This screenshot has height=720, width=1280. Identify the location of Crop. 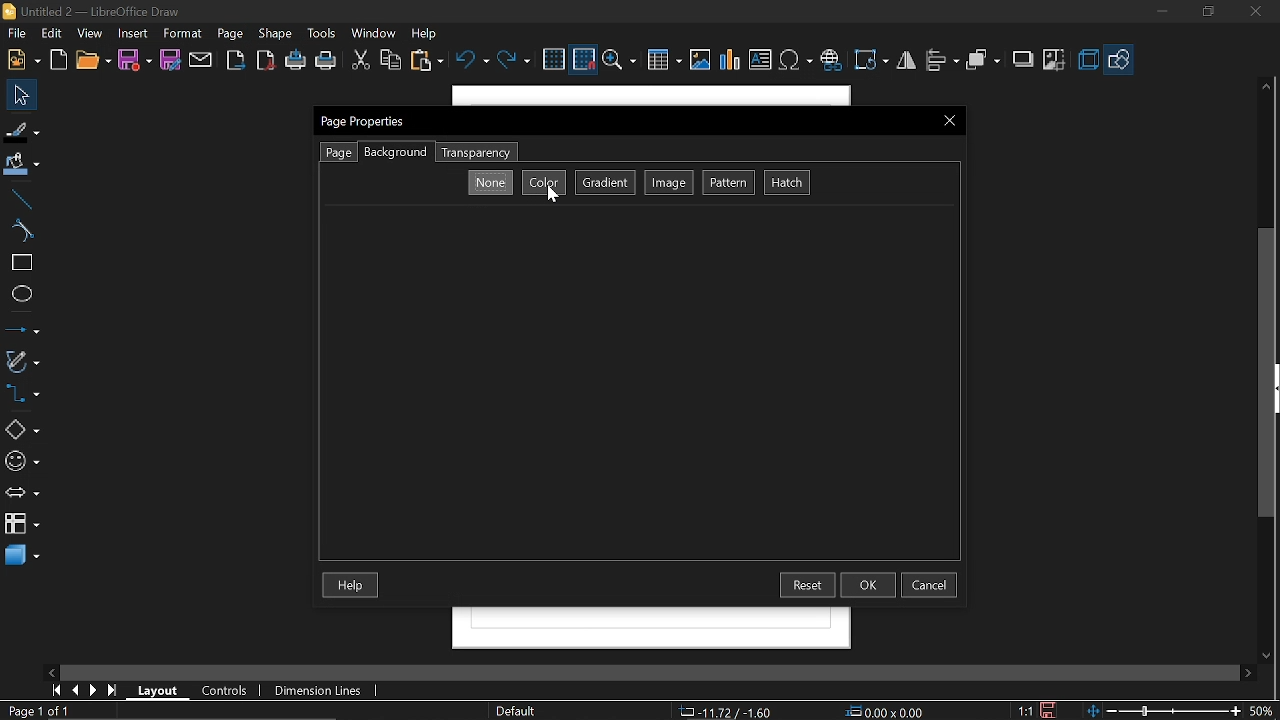
(1054, 61).